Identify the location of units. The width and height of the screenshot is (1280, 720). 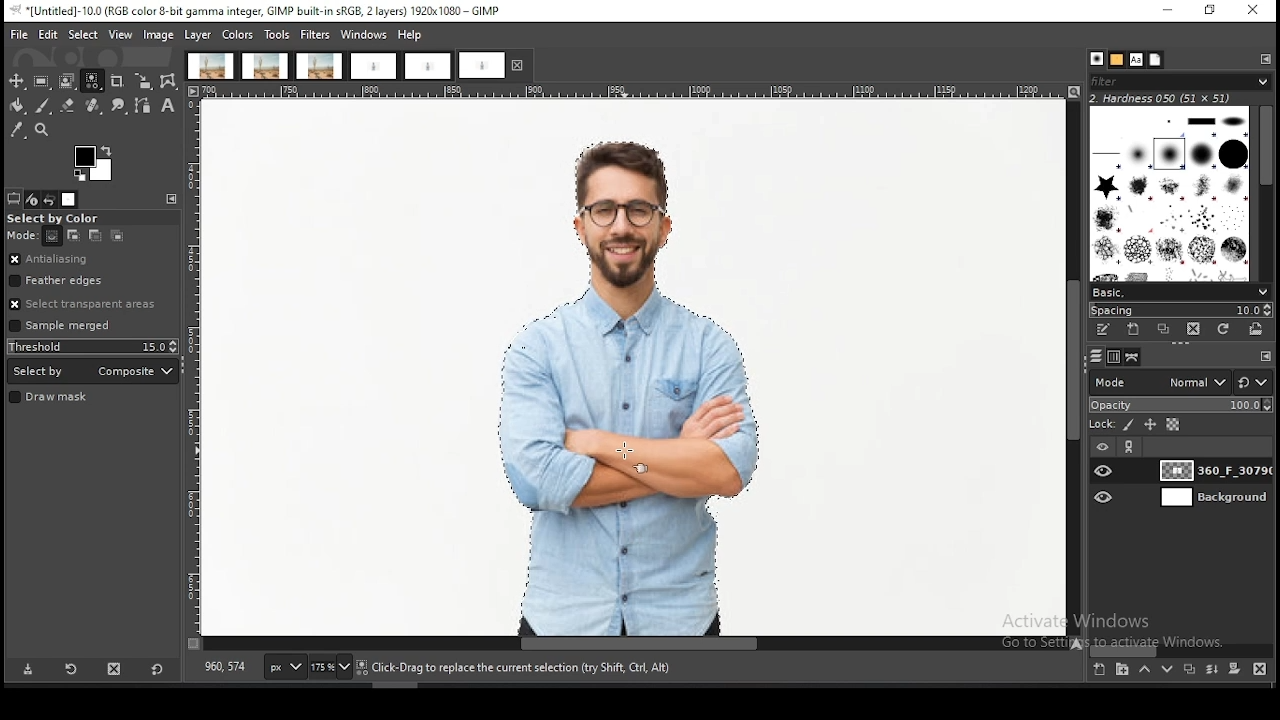
(284, 667).